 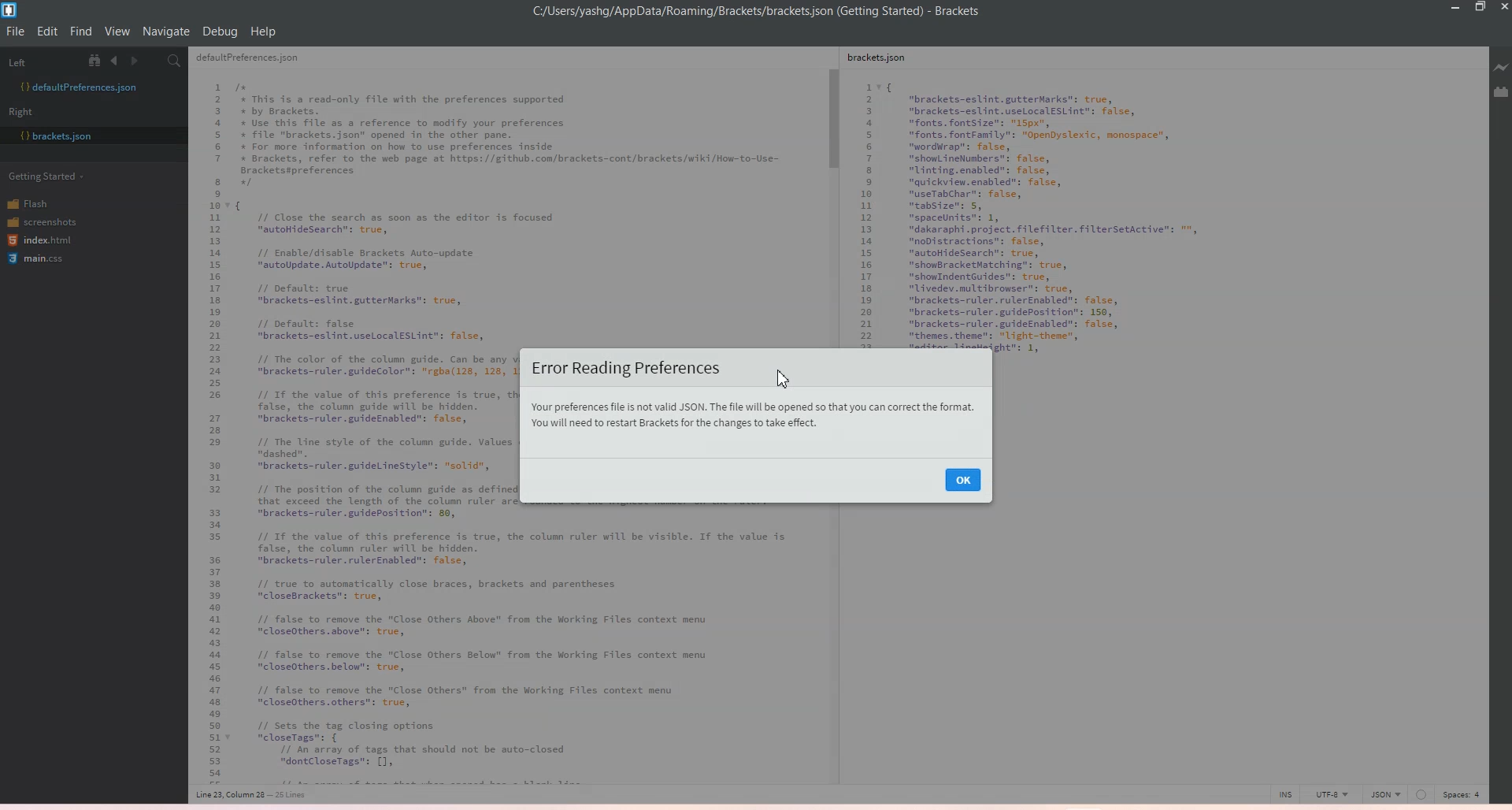 I want to click on main.css, so click(x=39, y=261).